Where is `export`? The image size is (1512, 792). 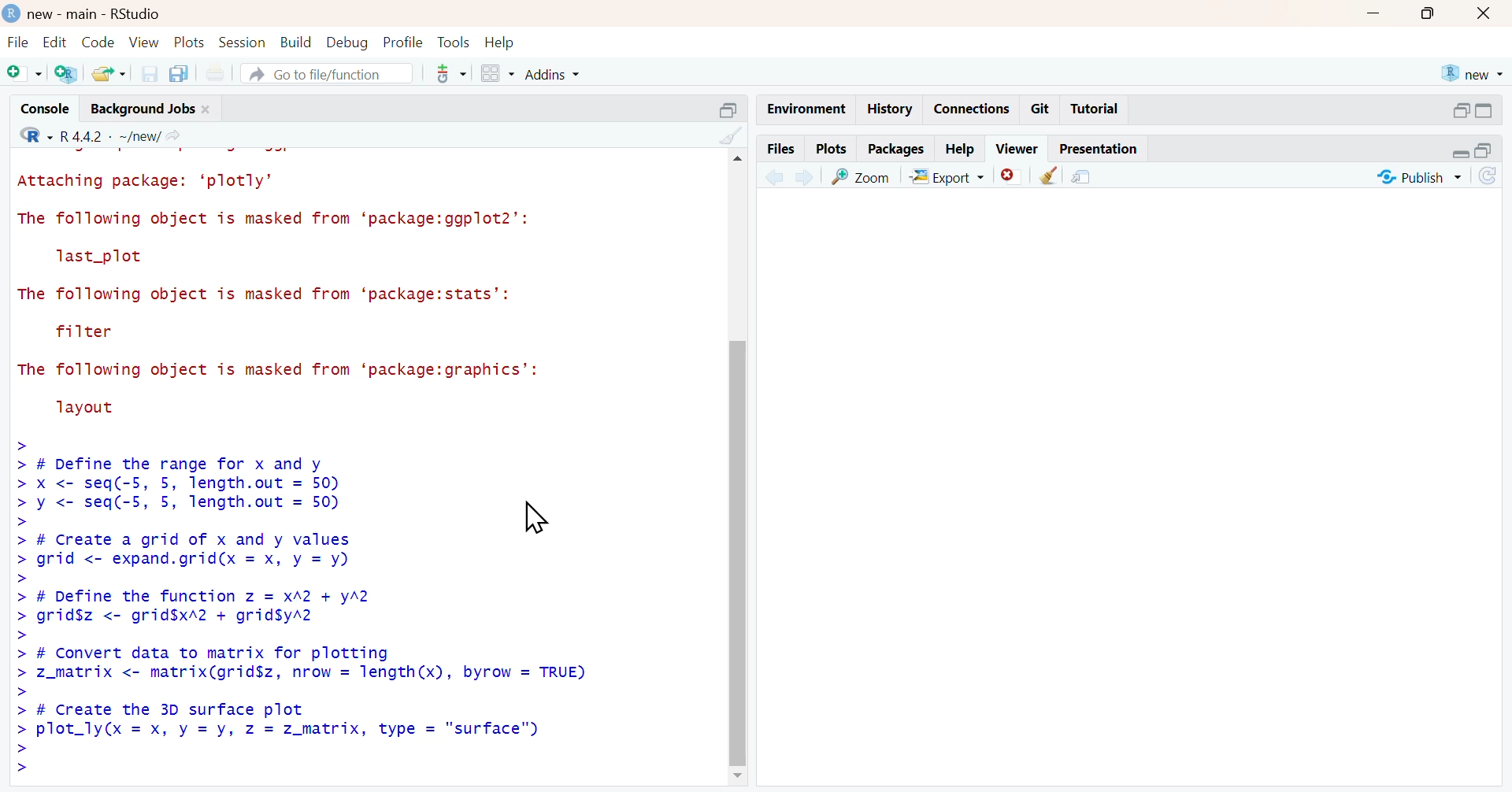 export is located at coordinates (952, 176).